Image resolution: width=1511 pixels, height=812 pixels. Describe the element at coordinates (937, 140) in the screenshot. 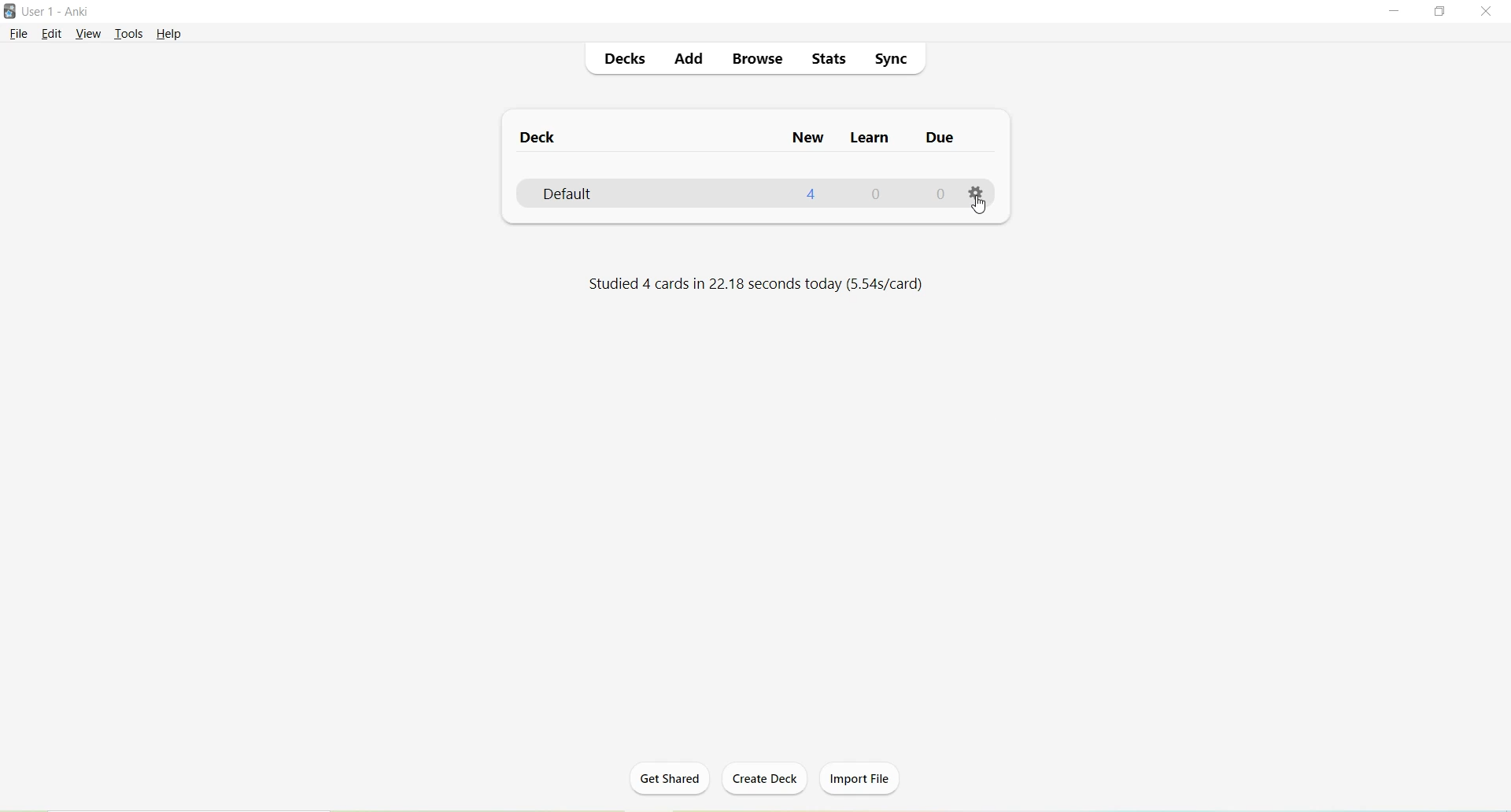

I see `Due` at that location.